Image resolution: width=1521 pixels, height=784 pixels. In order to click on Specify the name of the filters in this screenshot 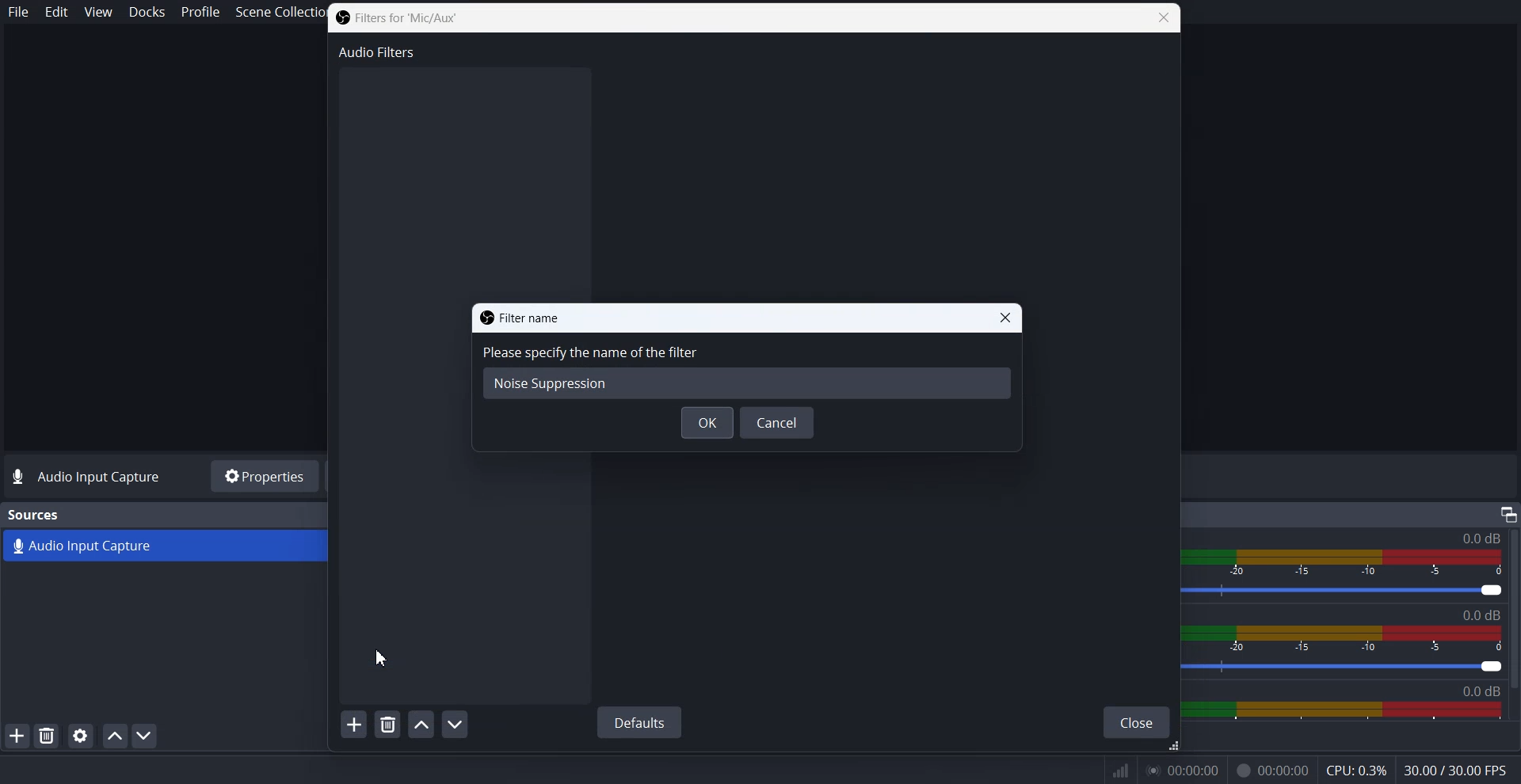, I will do `click(746, 368)`.